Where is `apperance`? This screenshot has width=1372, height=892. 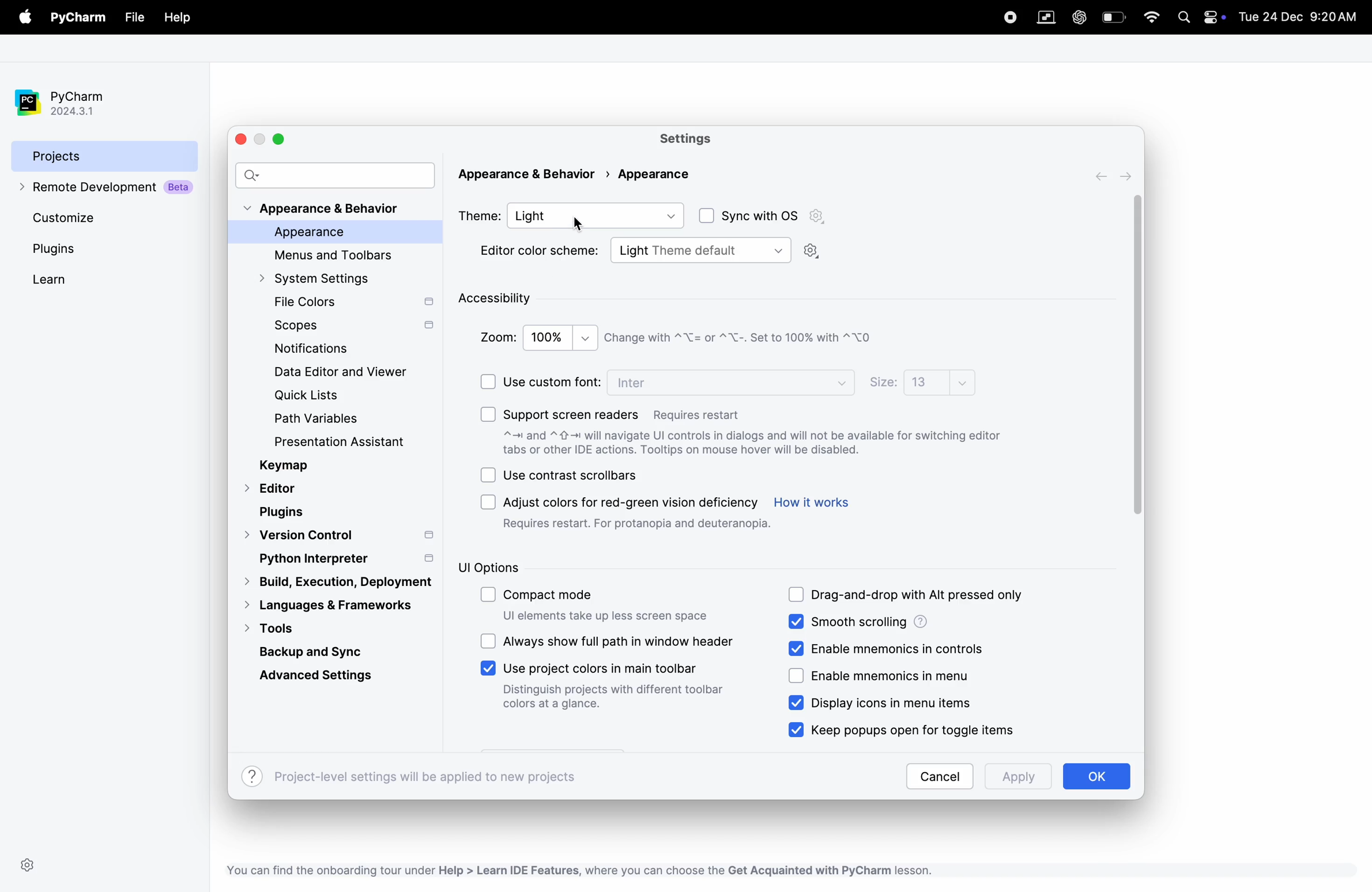 apperance is located at coordinates (652, 173).